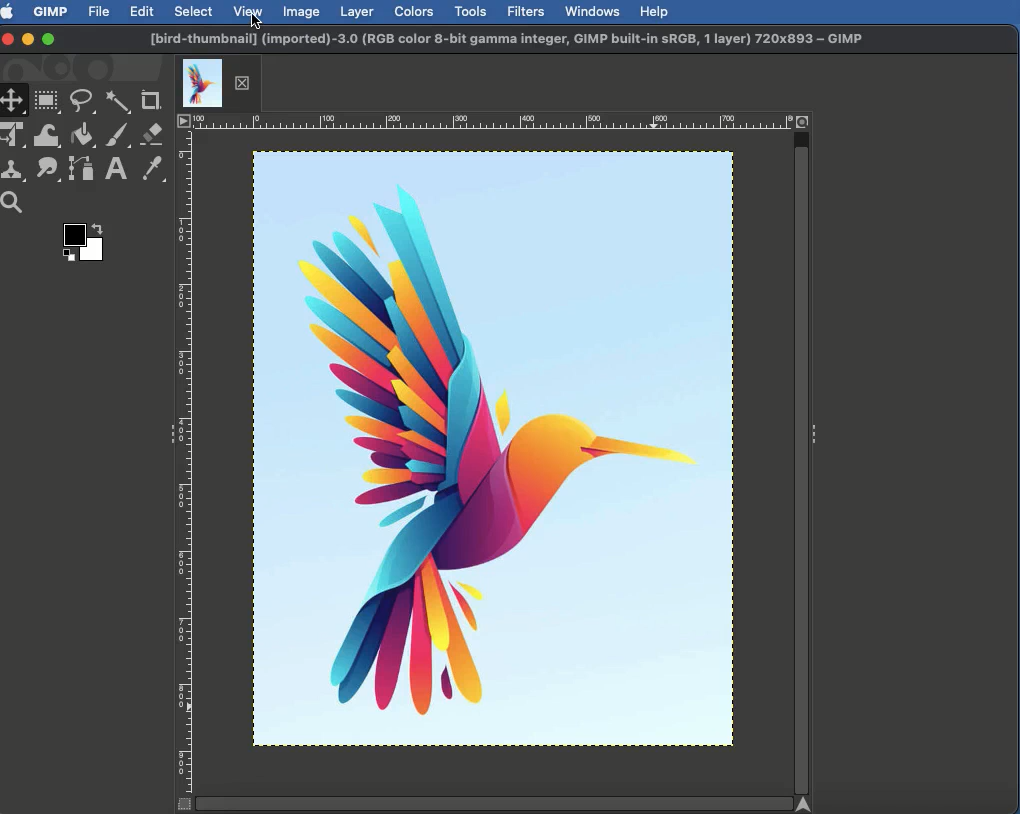  What do you see at coordinates (84, 104) in the screenshot?
I see `Freeform selector` at bounding box center [84, 104].